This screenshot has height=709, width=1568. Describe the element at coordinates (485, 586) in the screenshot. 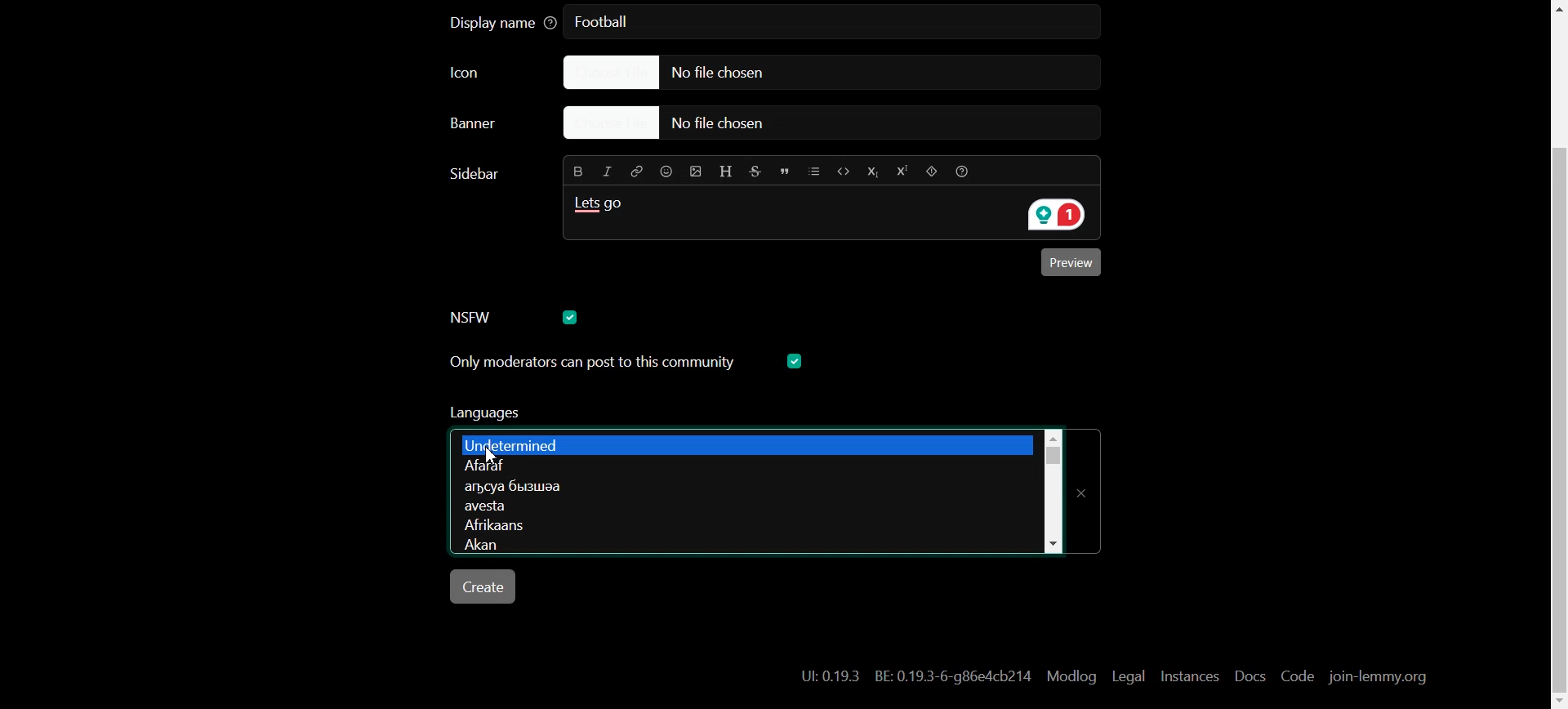

I see `Create` at that location.